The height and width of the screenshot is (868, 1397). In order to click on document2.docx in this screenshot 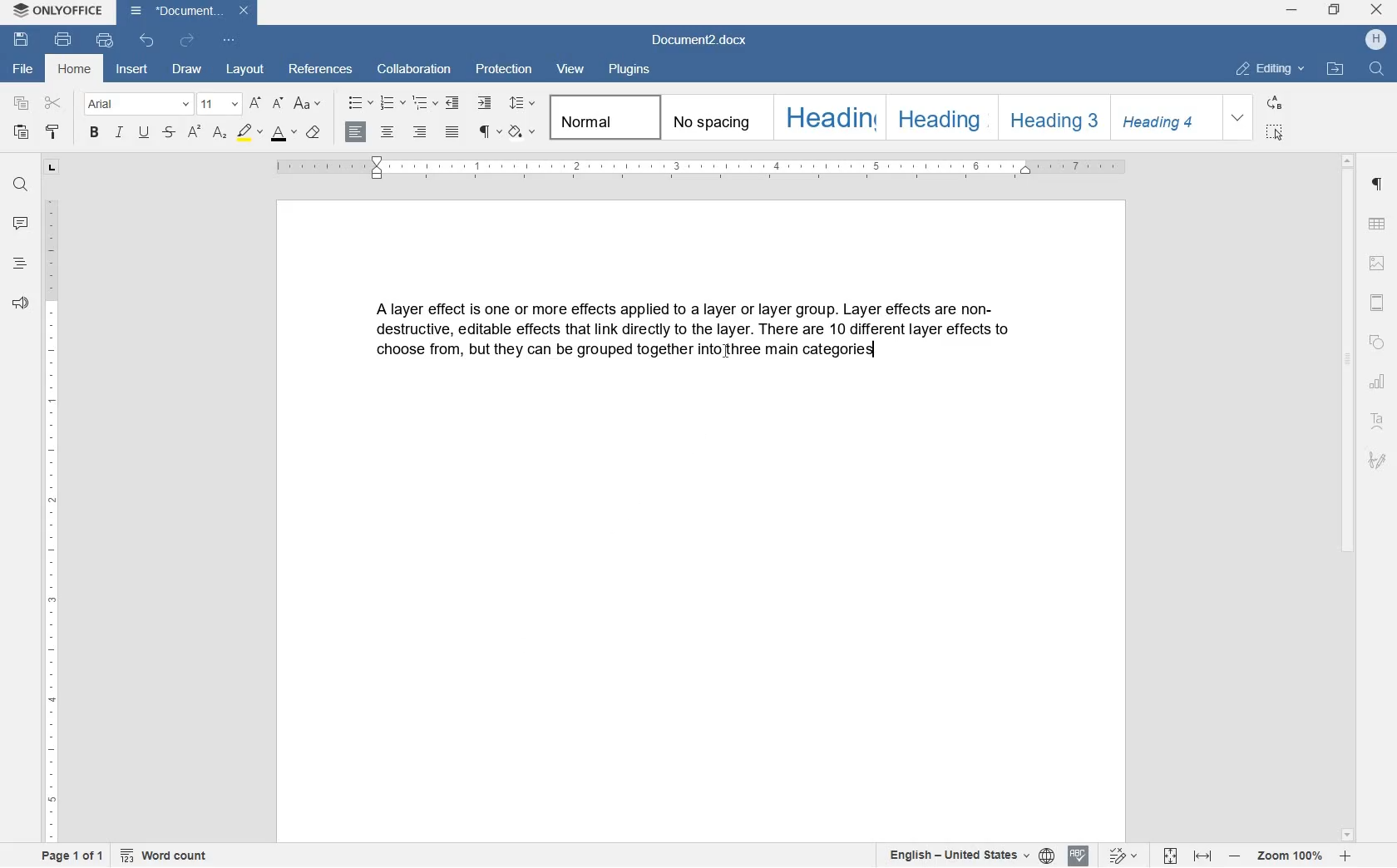, I will do `click(187, 12)`.